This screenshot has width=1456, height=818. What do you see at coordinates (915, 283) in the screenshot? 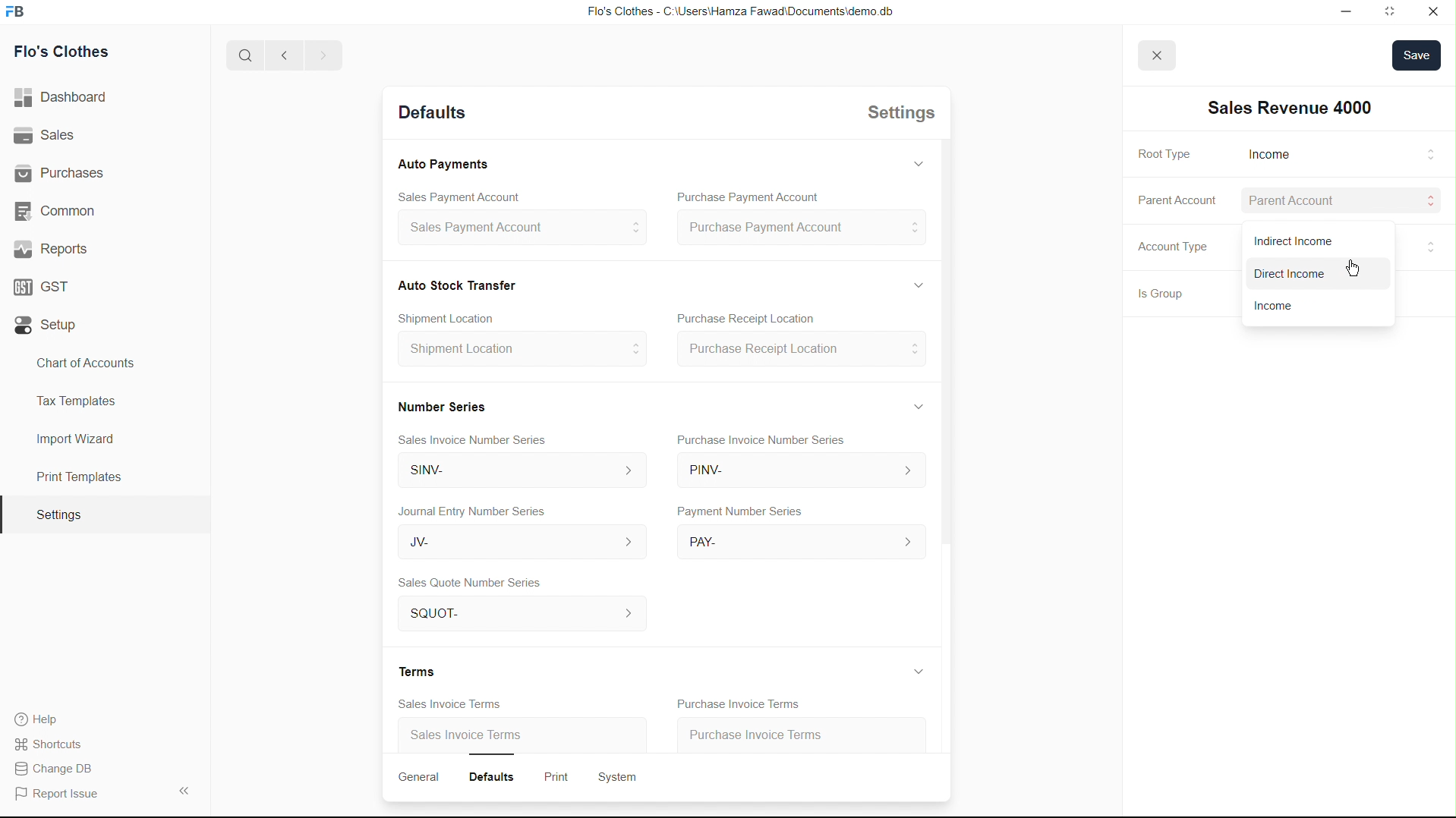
I see `Hide ` at bounding box center [915, 283].